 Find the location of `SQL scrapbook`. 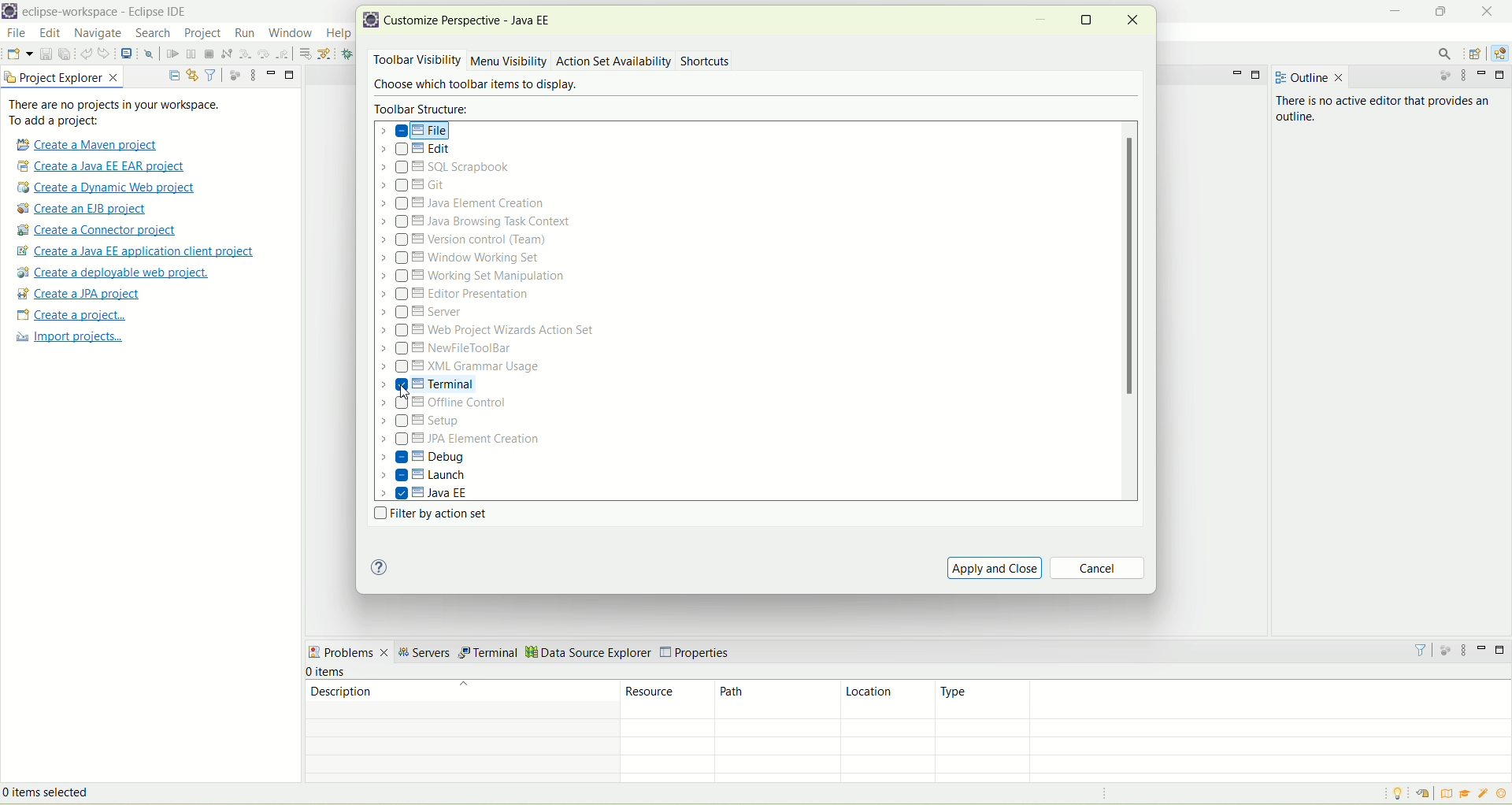

SQL scrapbook is located at coordinates (452, 168).